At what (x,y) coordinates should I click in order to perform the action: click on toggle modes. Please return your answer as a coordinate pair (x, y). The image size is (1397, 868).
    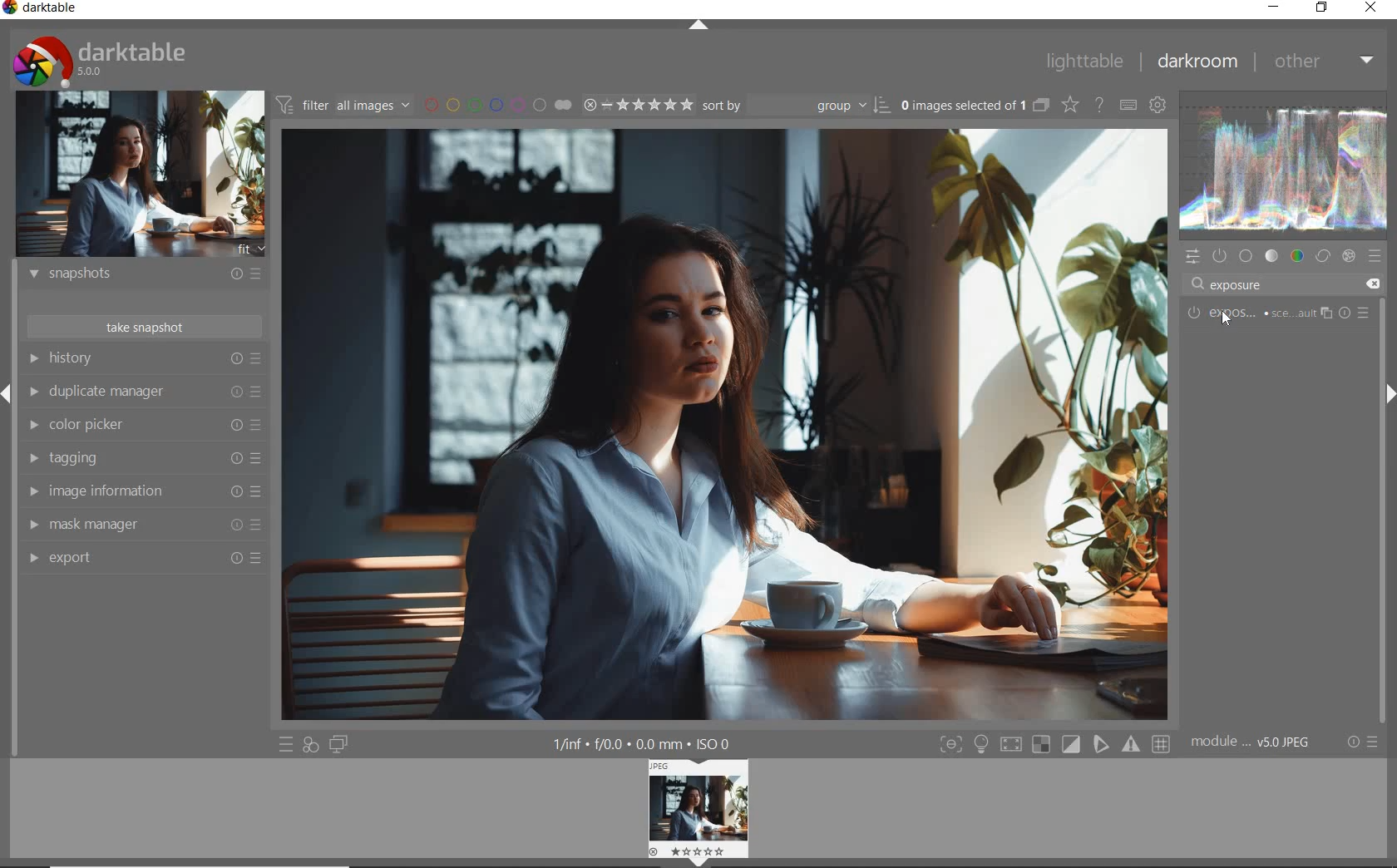
    Looking at the image, I should click on (1055, 744).